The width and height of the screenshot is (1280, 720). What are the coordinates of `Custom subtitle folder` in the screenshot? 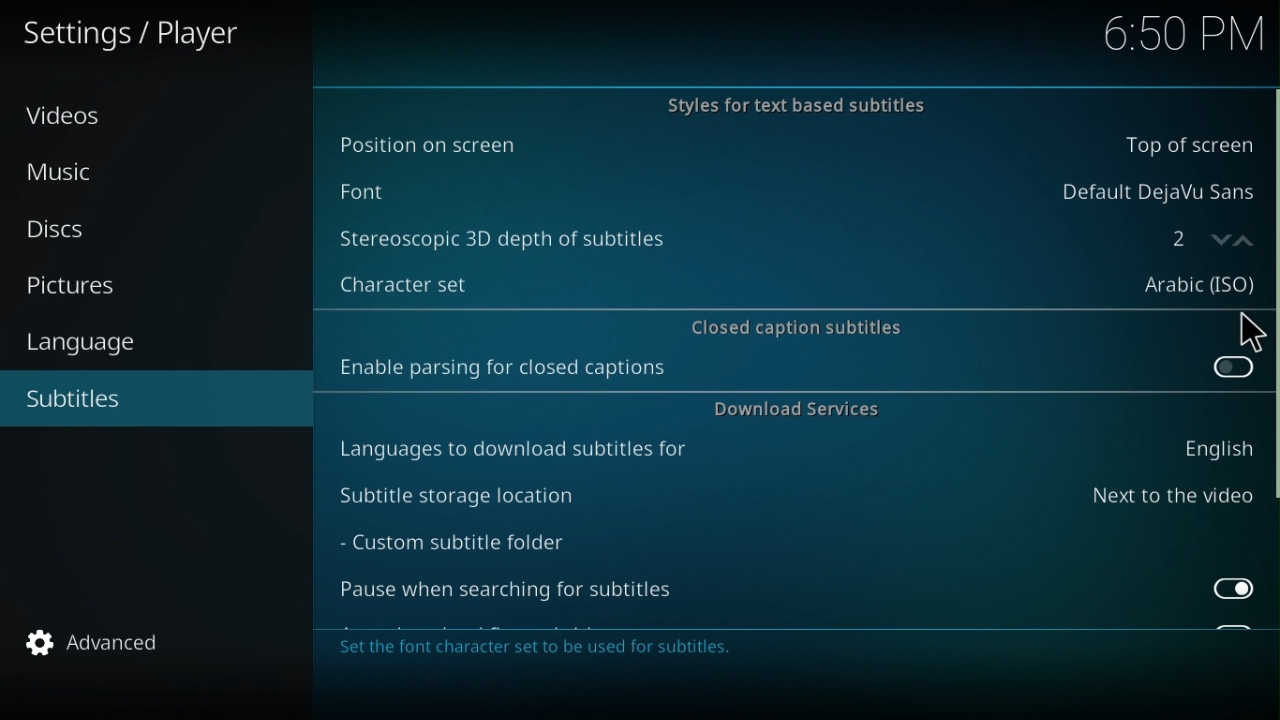 It's located at (479, 541).